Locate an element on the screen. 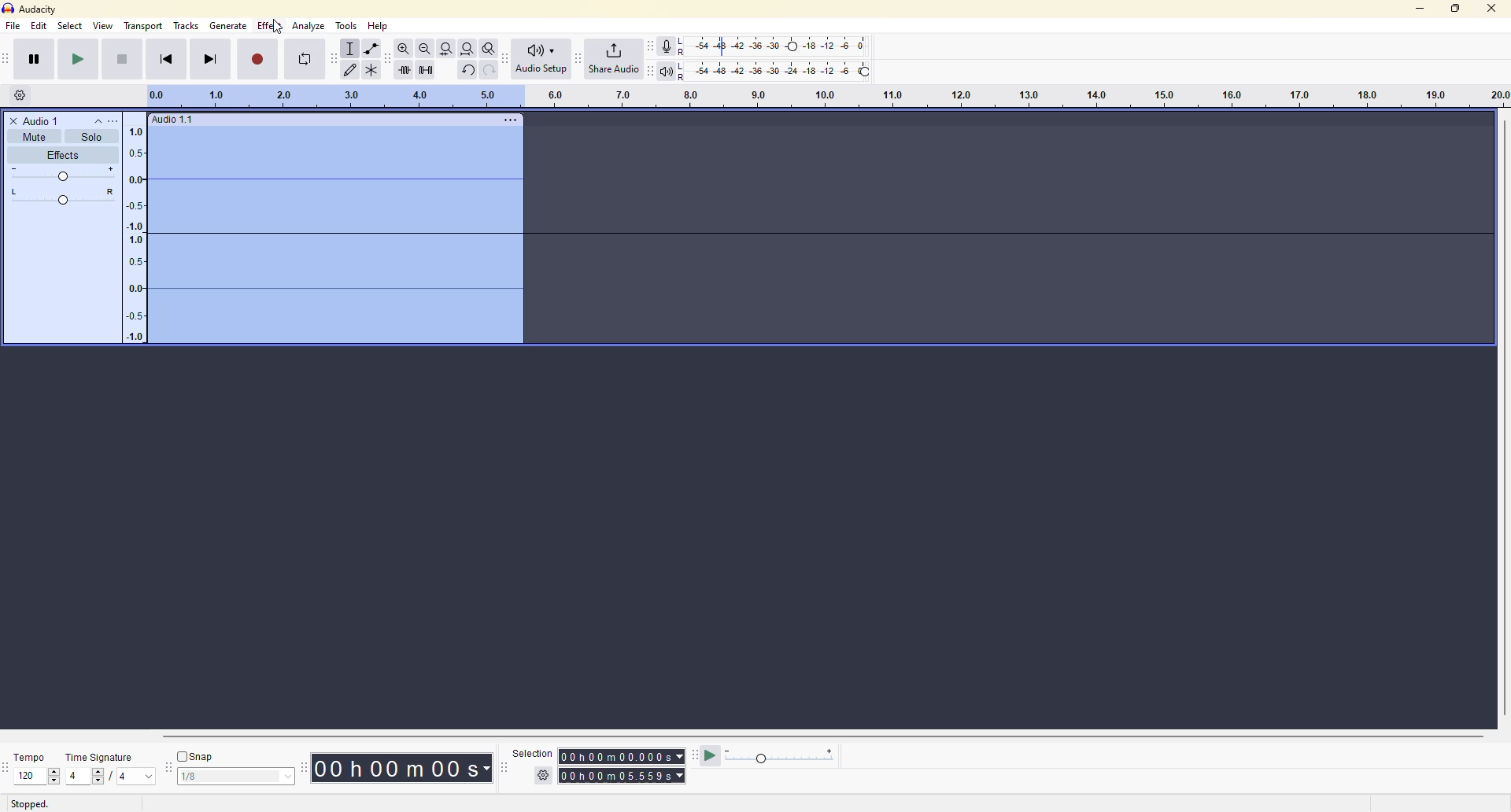 The height and width of the screenshot is (812, 1511). multi tool is located at coordinates (375, 68).